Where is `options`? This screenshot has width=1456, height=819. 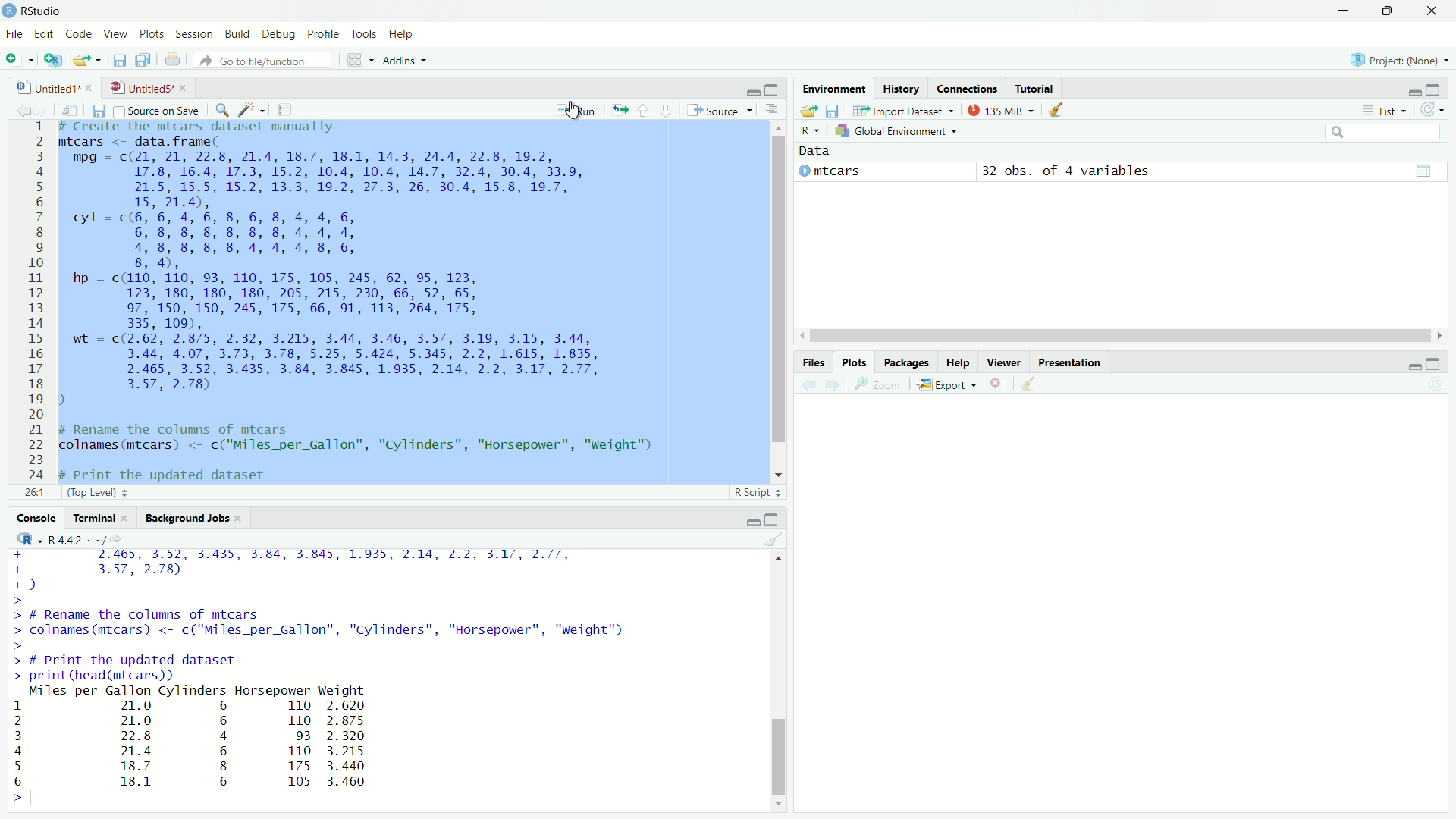
options is located at coordinates (775, 110).